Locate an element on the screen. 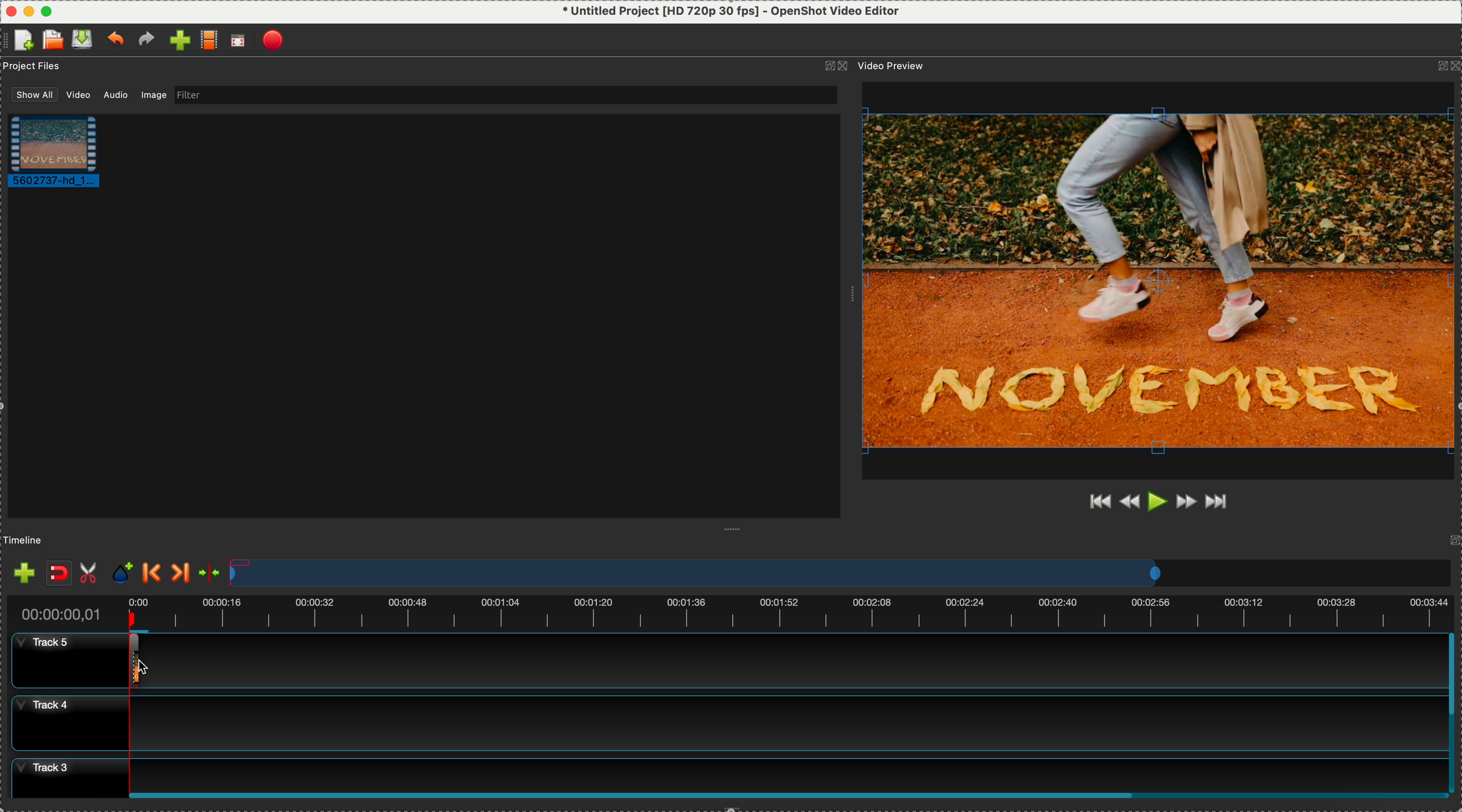  enable razor is located at coordinates (91, 571).